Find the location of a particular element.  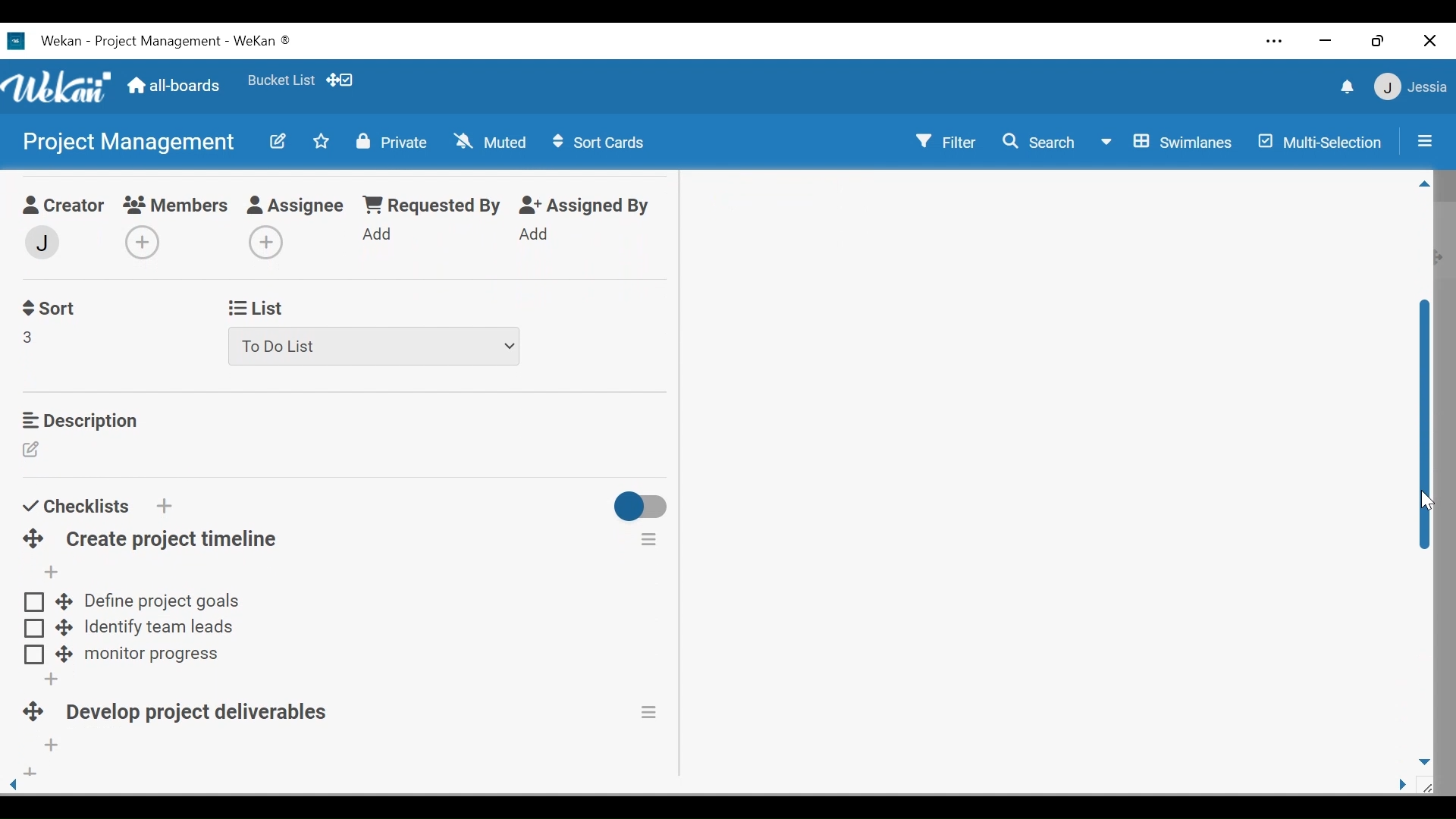

Add Assigned By is located at coordinates (535, 234).